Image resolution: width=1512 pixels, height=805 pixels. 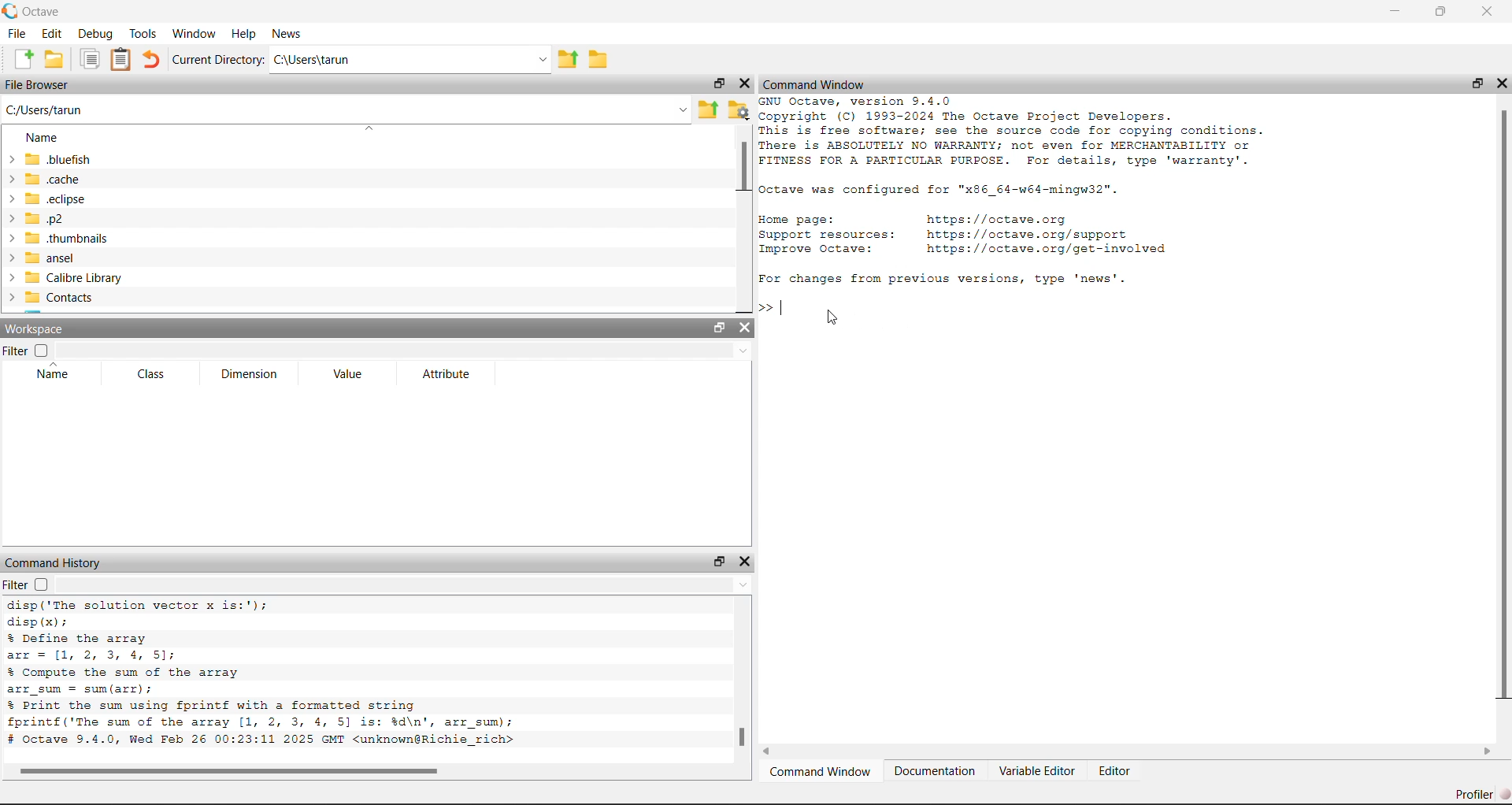 What do you see at coordinates (569, 60) in the screenshot?
I see `One directory up` at bounding box center [569, 60].